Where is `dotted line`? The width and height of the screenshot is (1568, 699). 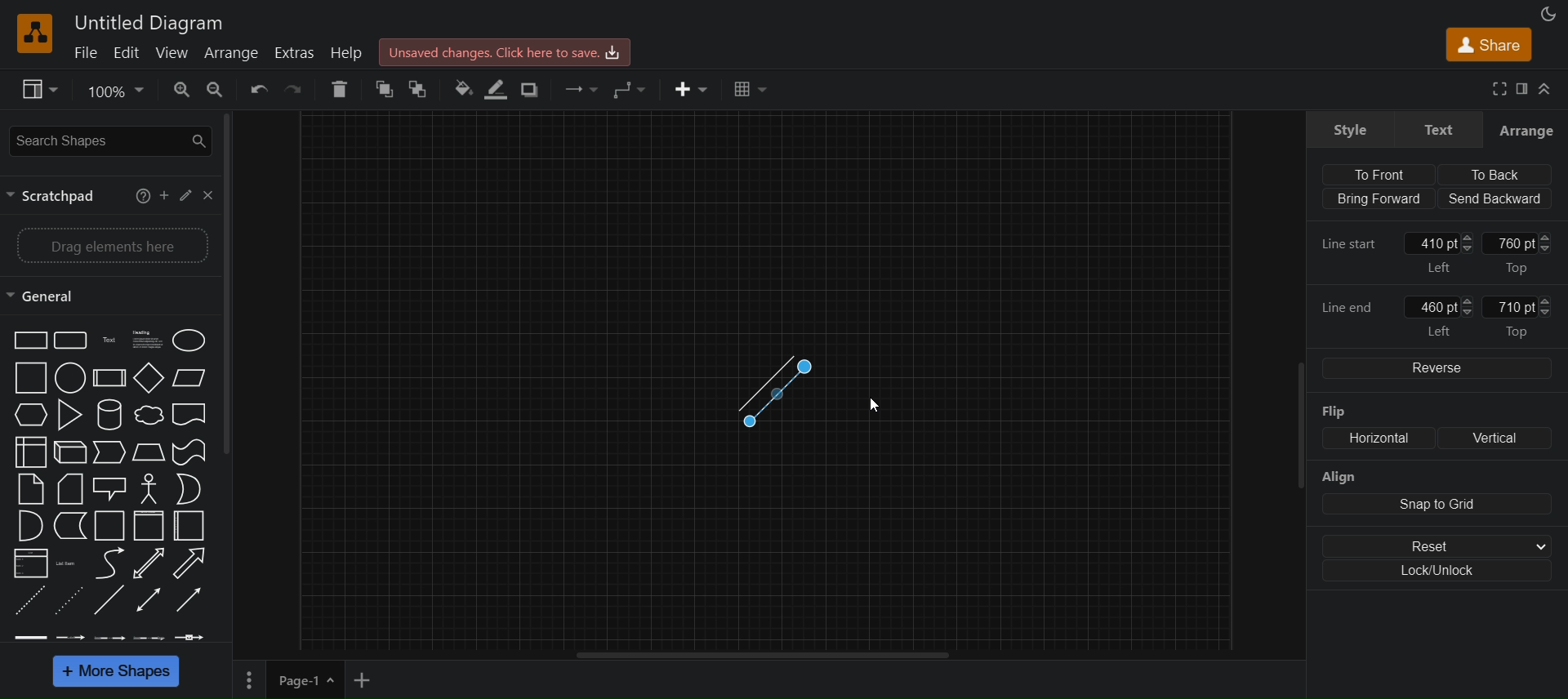
dotted line is located at coordinates (69, 602).